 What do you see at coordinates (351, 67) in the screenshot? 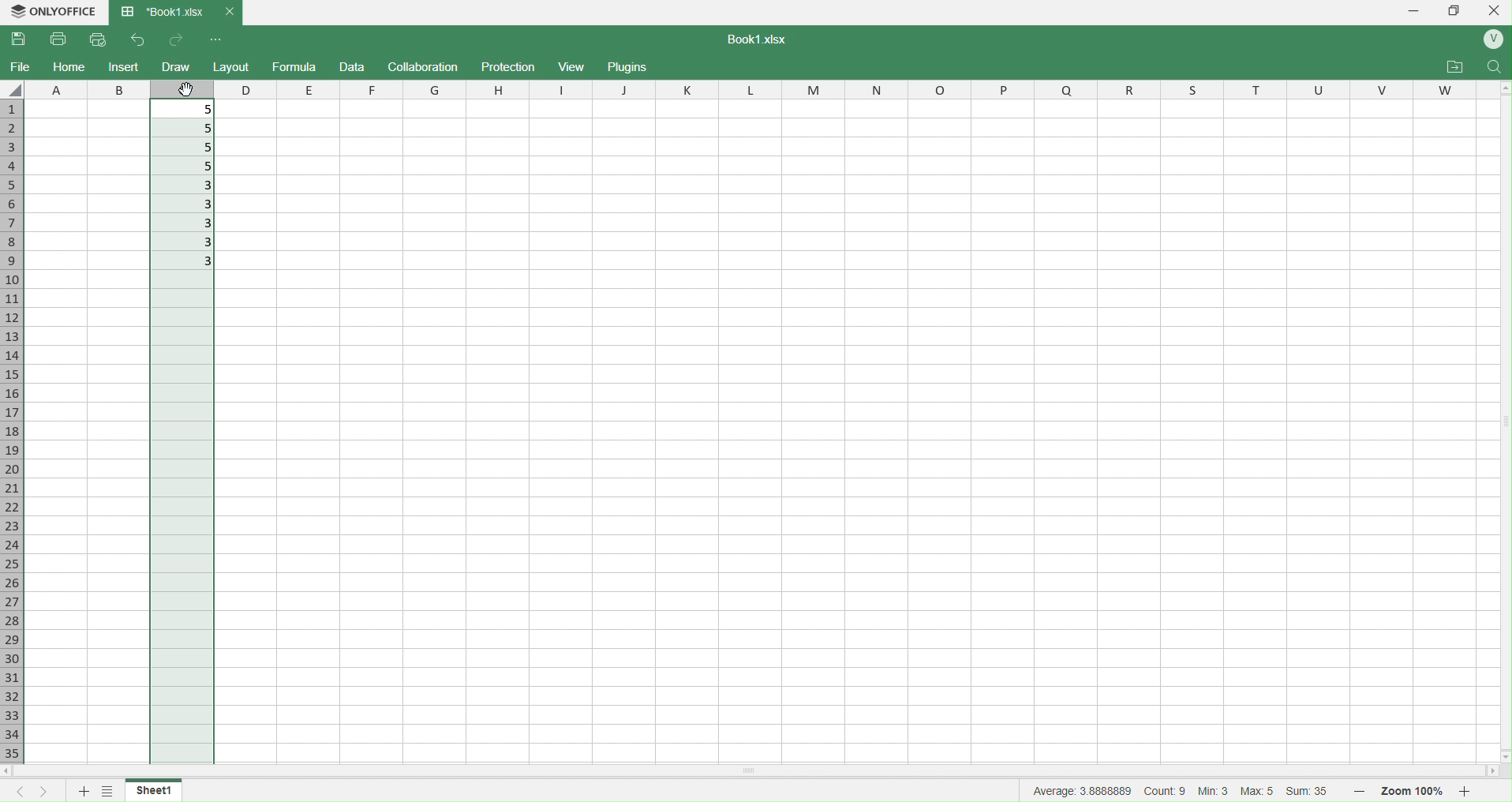
I see `Draft` at bounding box center [351, 67].